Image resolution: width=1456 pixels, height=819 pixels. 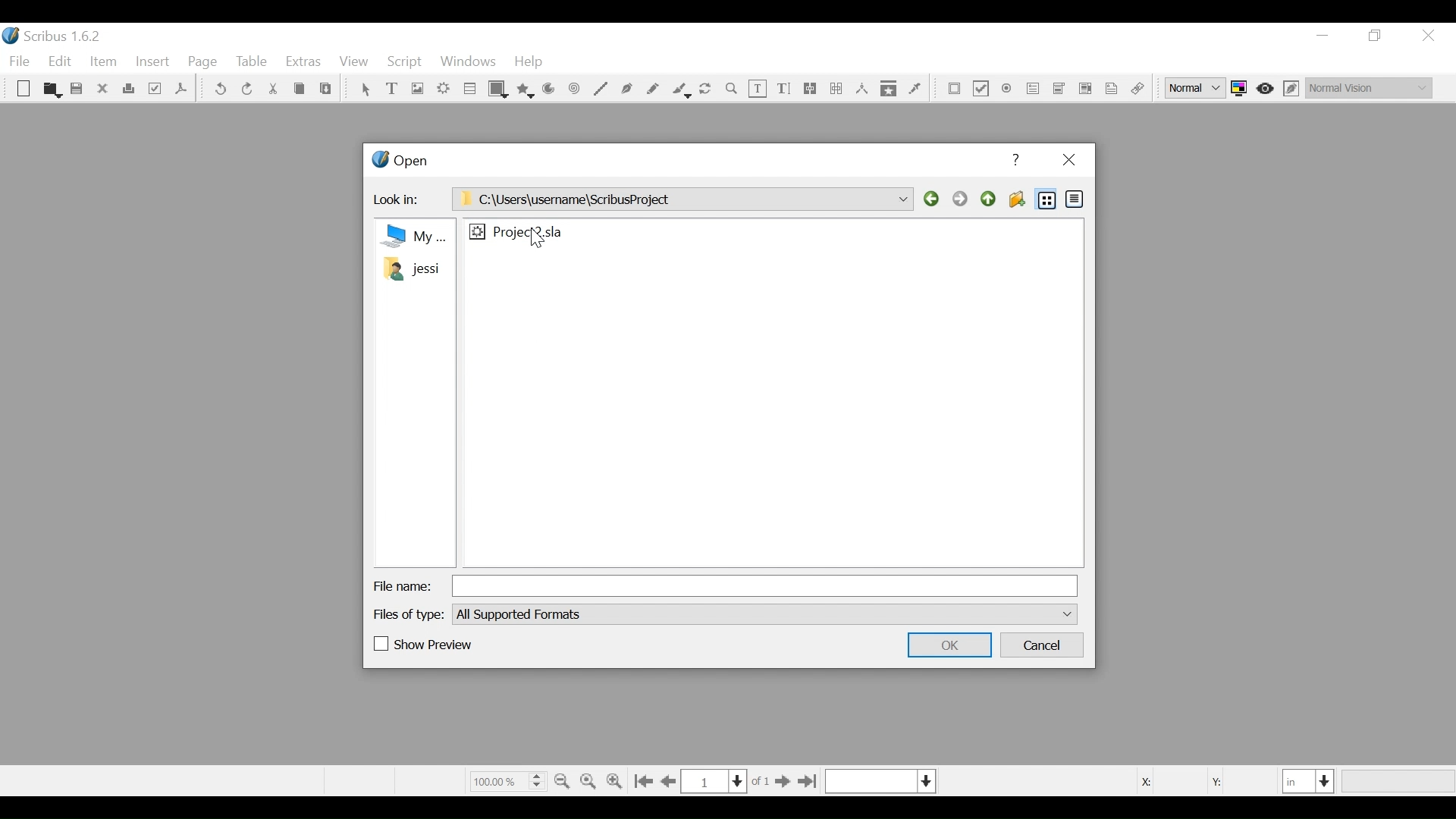 What do you see at coordinates (51, 89) in the screenshot?
I see `Open` at bounding box center [51, 89].